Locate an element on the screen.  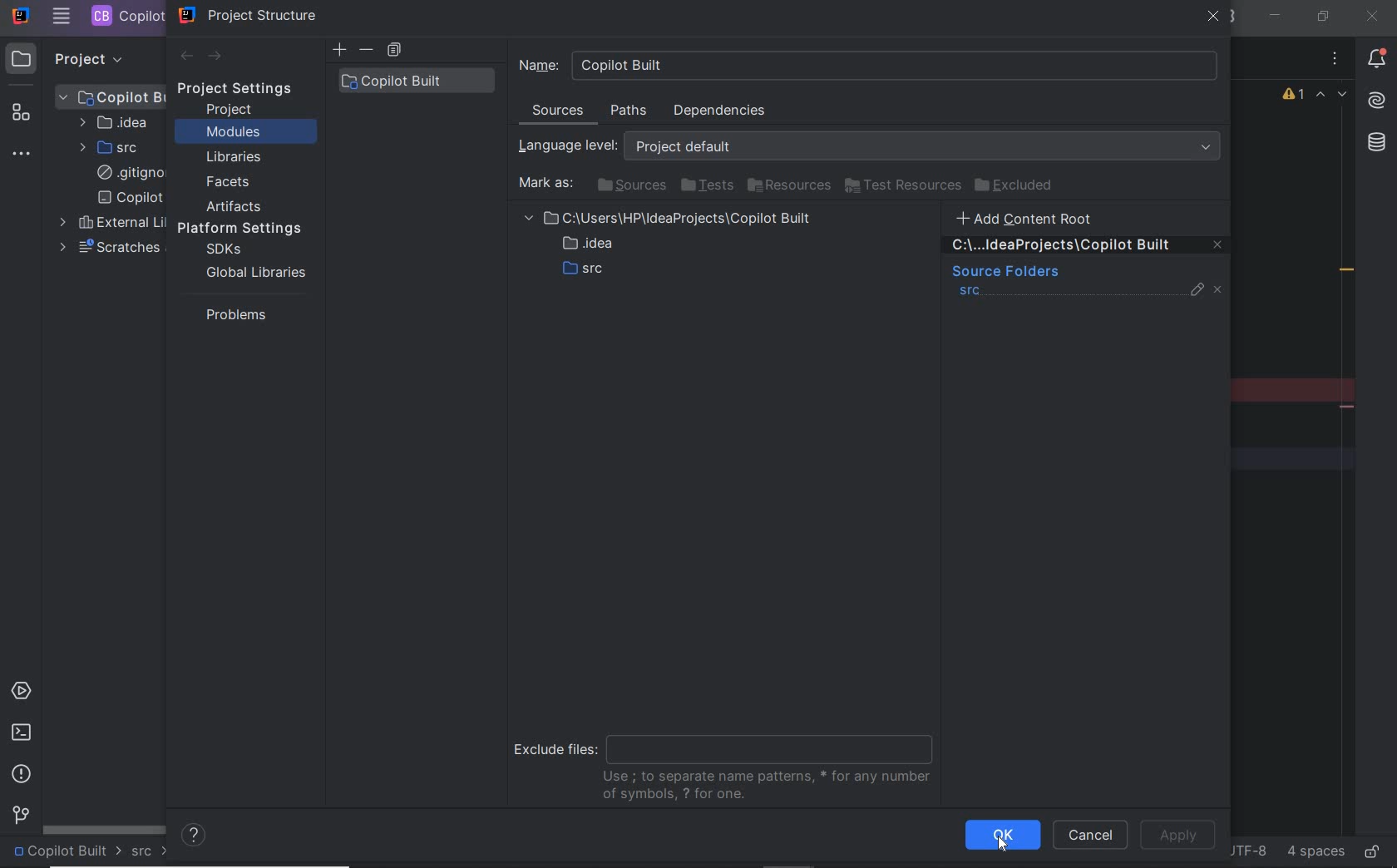
indent is located at coordinates (1314, 852).